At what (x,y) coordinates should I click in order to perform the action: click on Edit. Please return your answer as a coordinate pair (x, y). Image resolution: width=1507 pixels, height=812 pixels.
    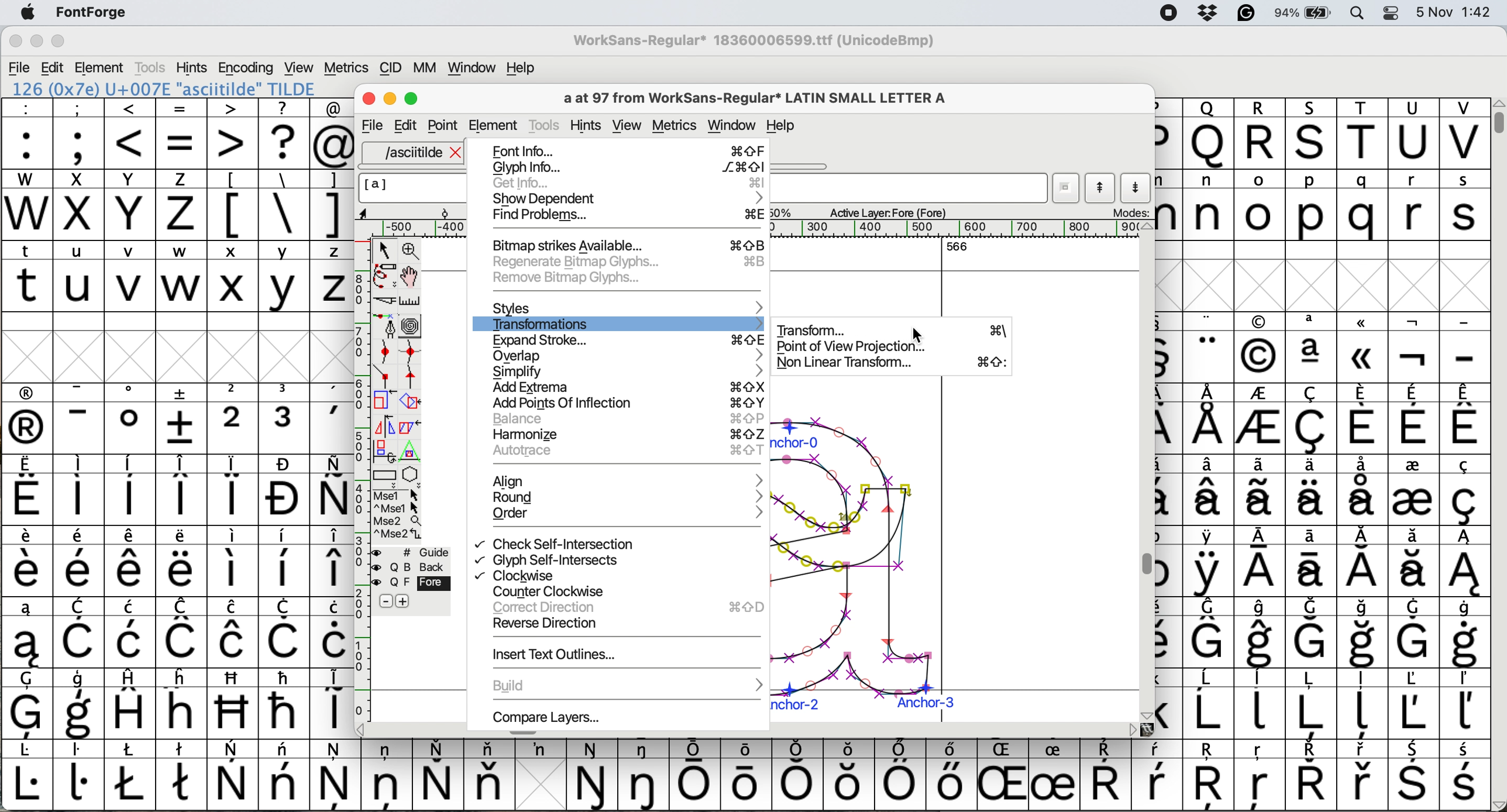
    Looking at the image, I should click on (405, 125).